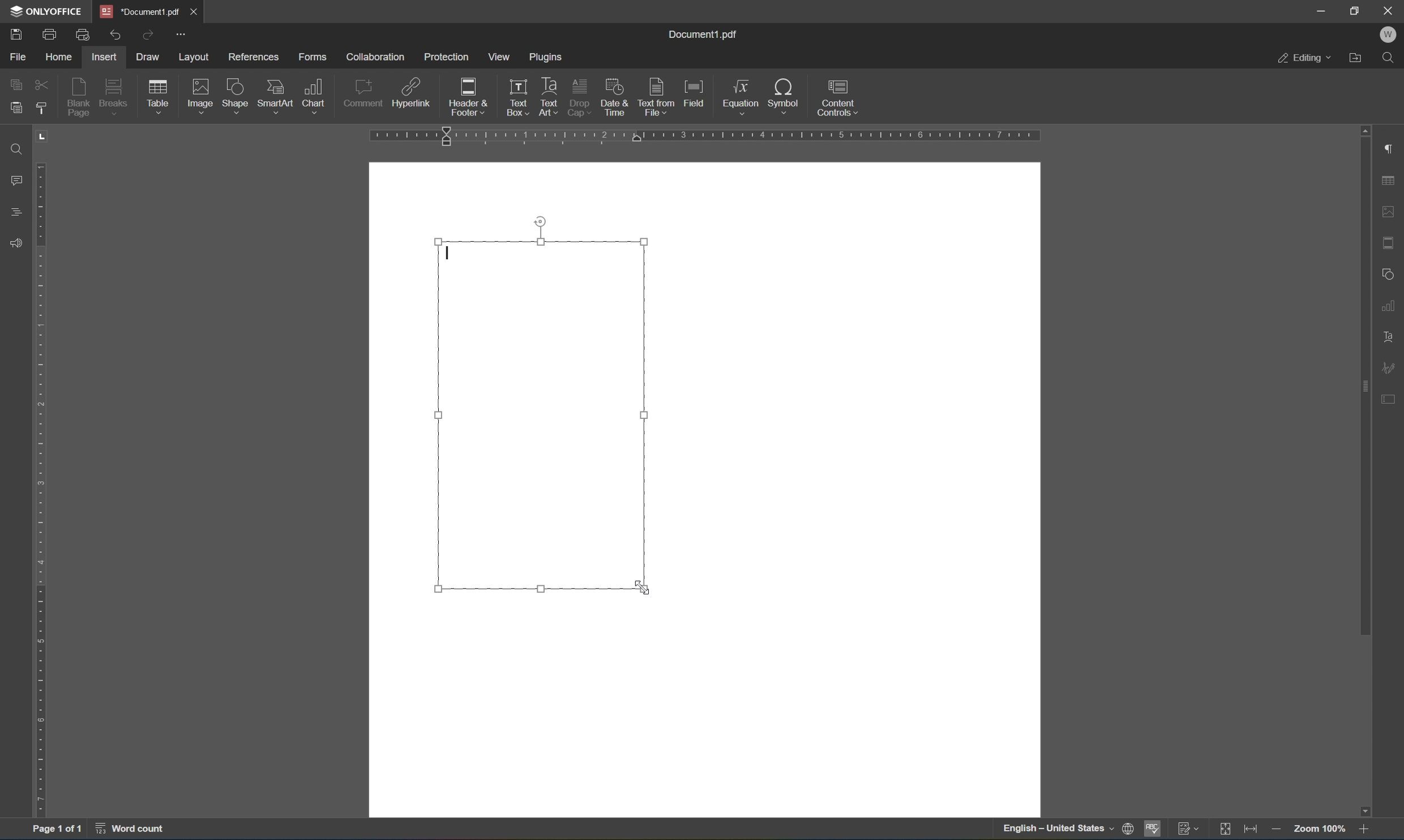  Describe the element at coordinates (84, 33) in the screenshot. I see `Quick print` at that location.